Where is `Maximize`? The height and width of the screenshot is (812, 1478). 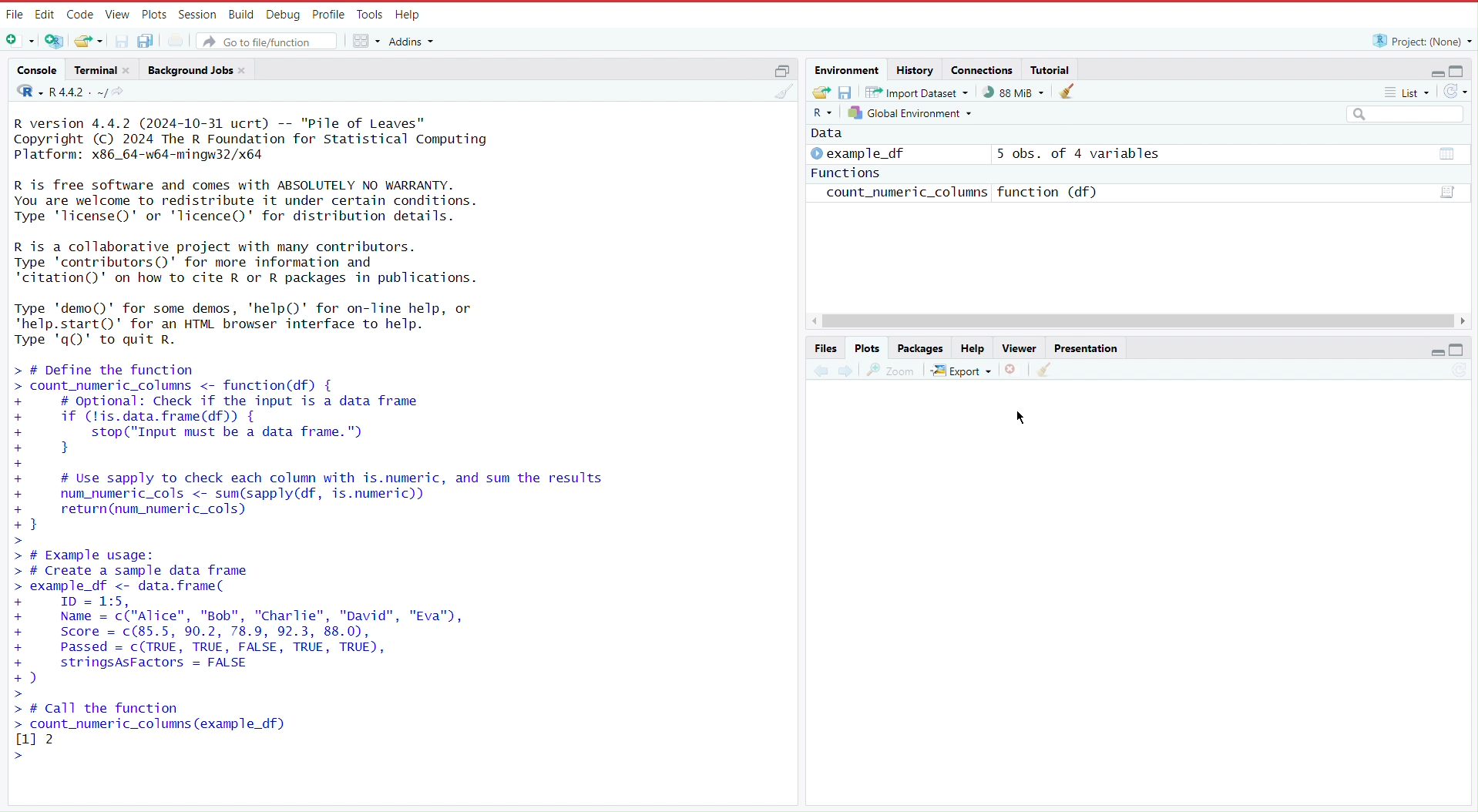 Maximize is located at coordinates (781, 69).